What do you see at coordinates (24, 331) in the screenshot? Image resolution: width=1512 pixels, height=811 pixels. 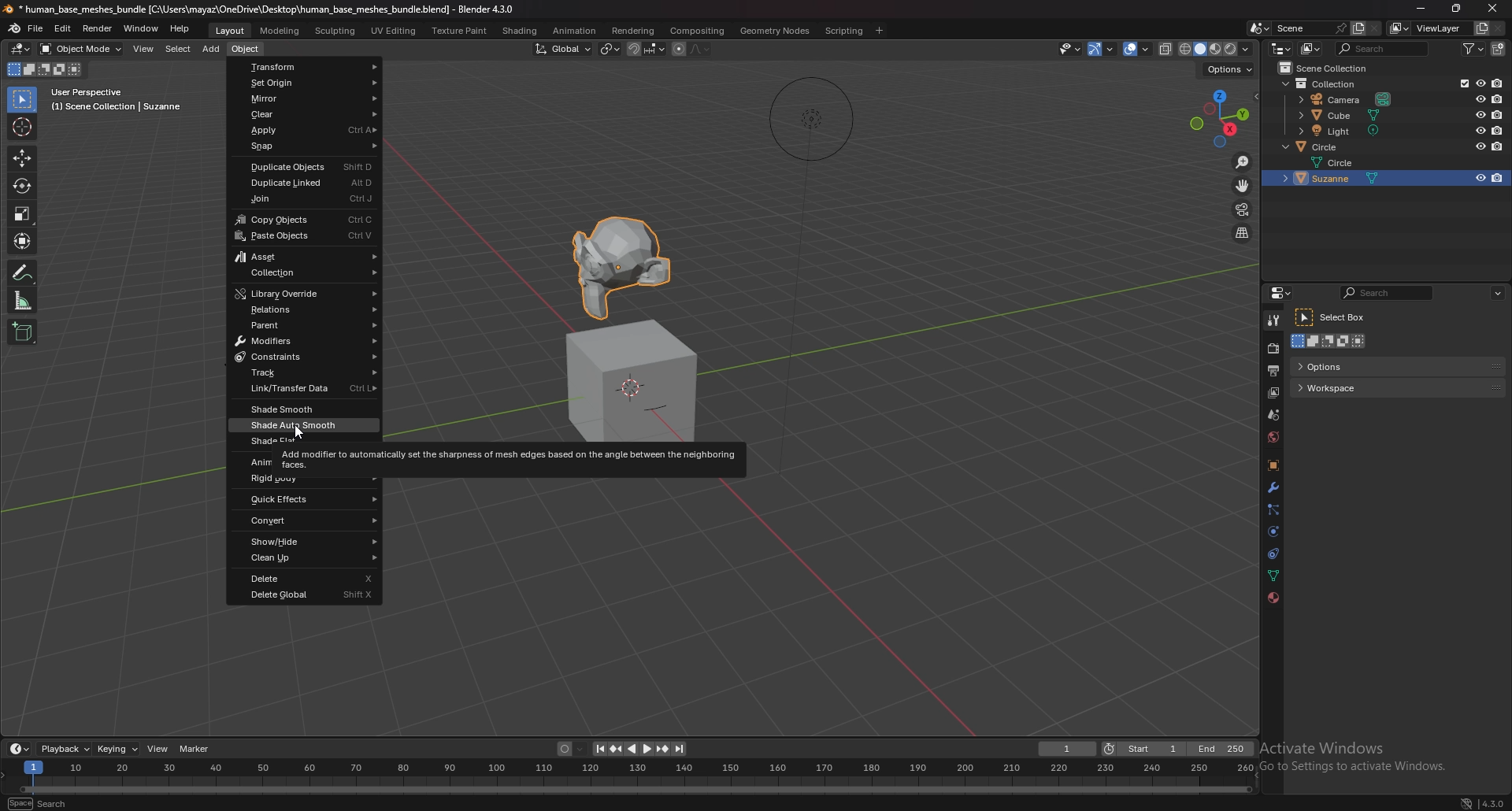 I see `add cube` at bounding box center [24, 331].